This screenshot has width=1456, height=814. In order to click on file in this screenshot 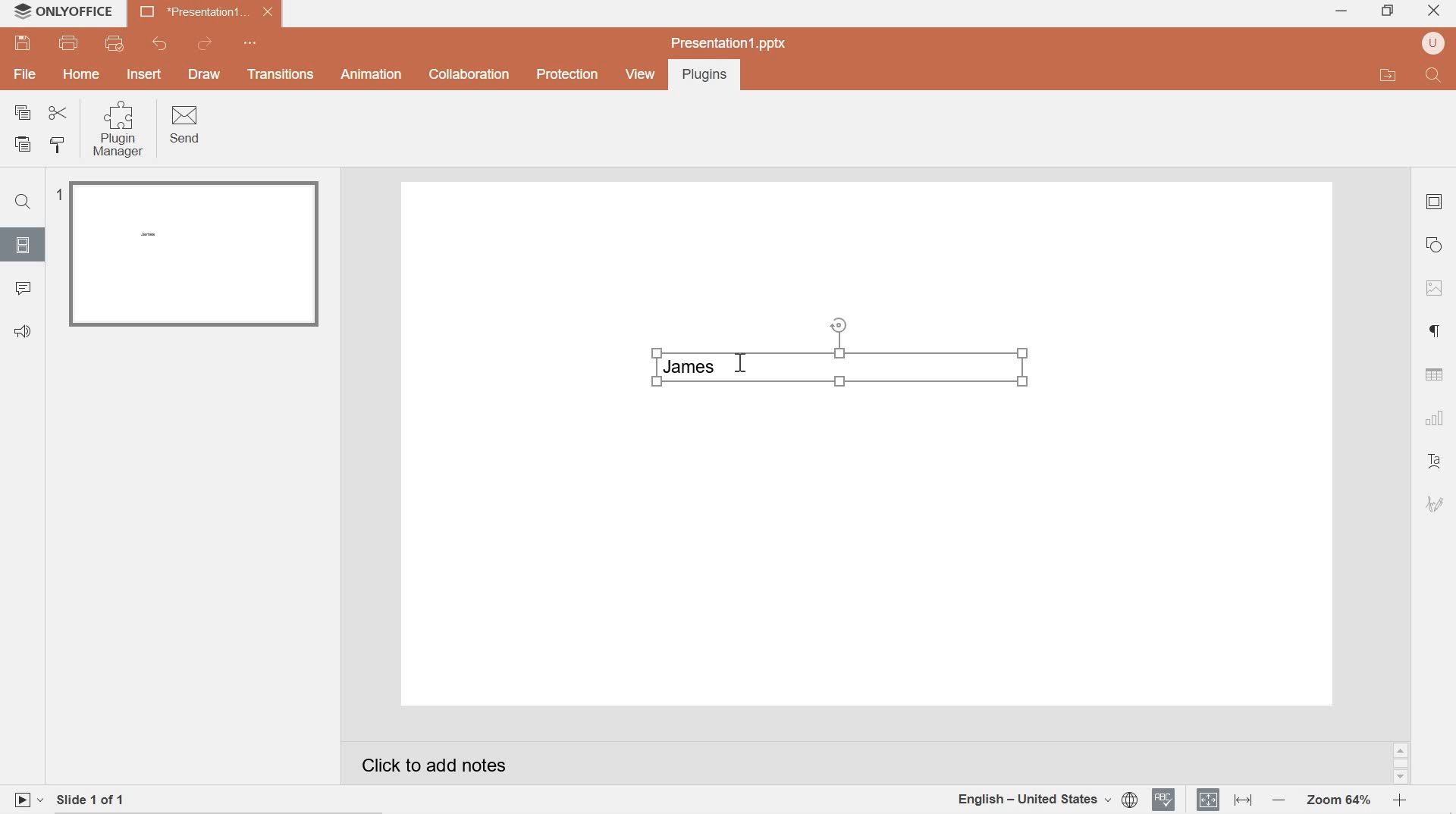, I will do `click(26, 76)`.